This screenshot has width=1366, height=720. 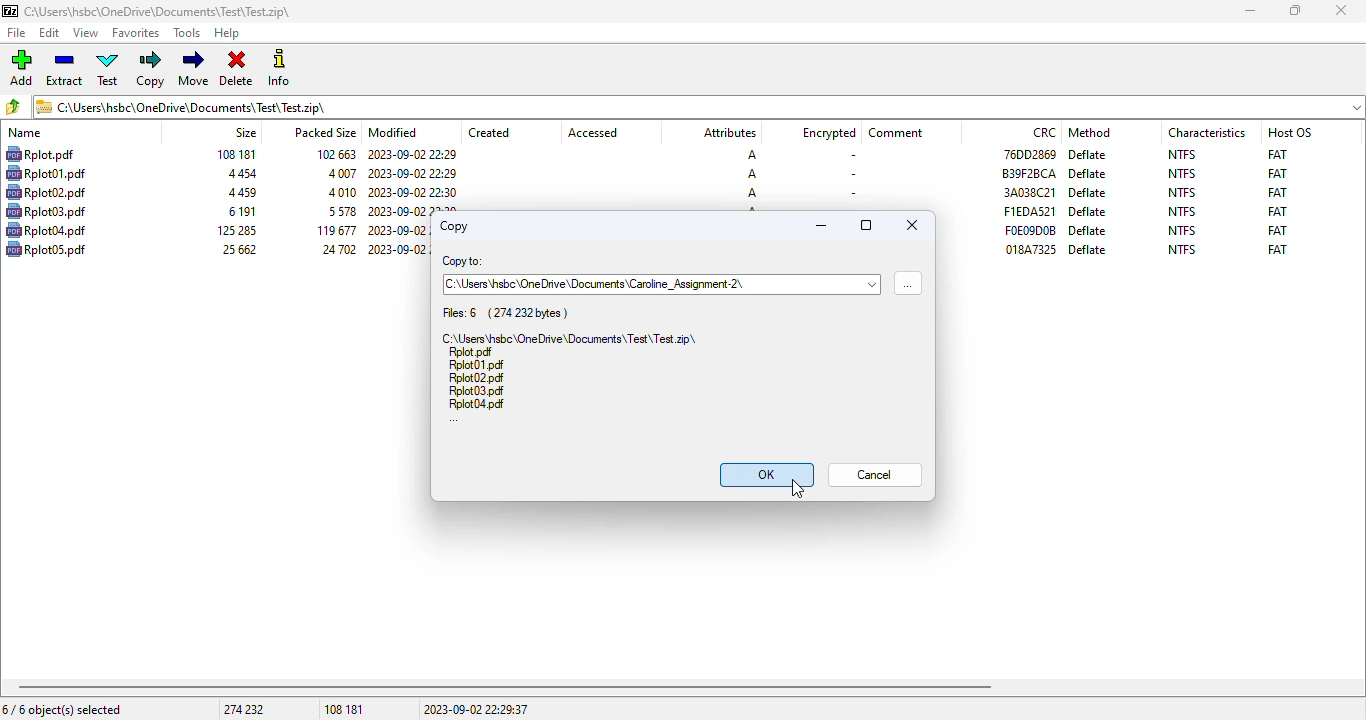 I want to click on size, so click(x=238, y=249).